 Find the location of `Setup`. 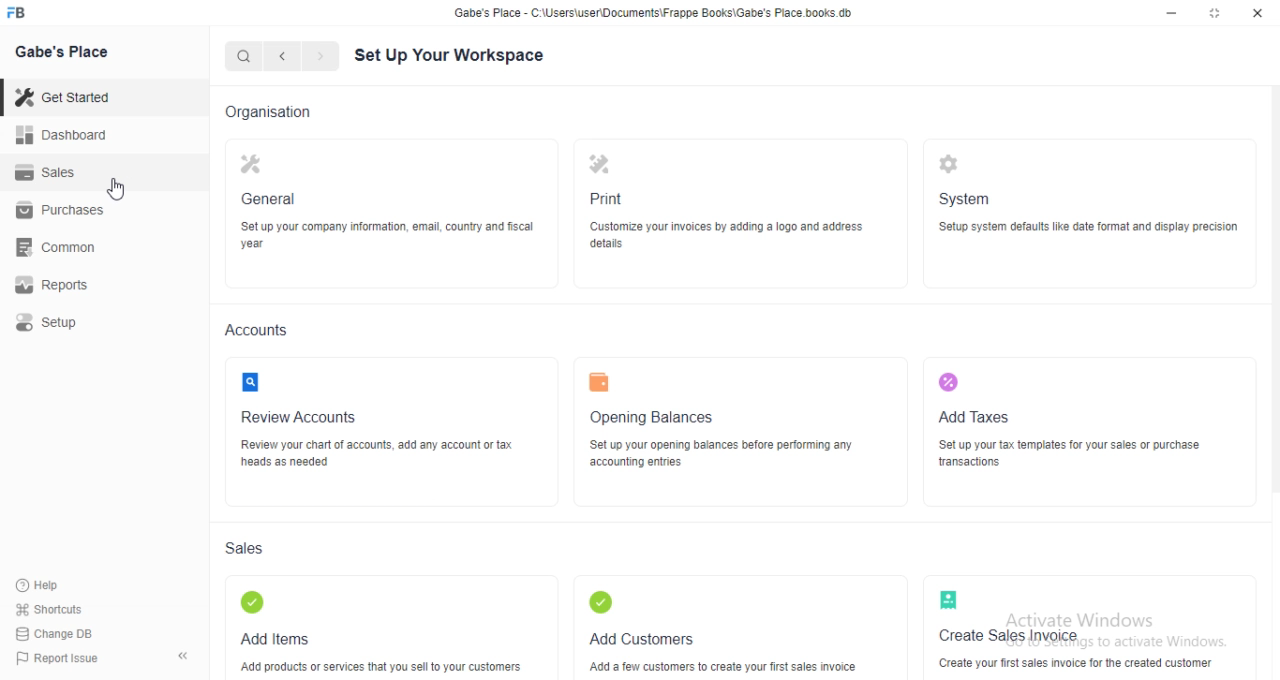

Setup is located at coordinates (49, 323).